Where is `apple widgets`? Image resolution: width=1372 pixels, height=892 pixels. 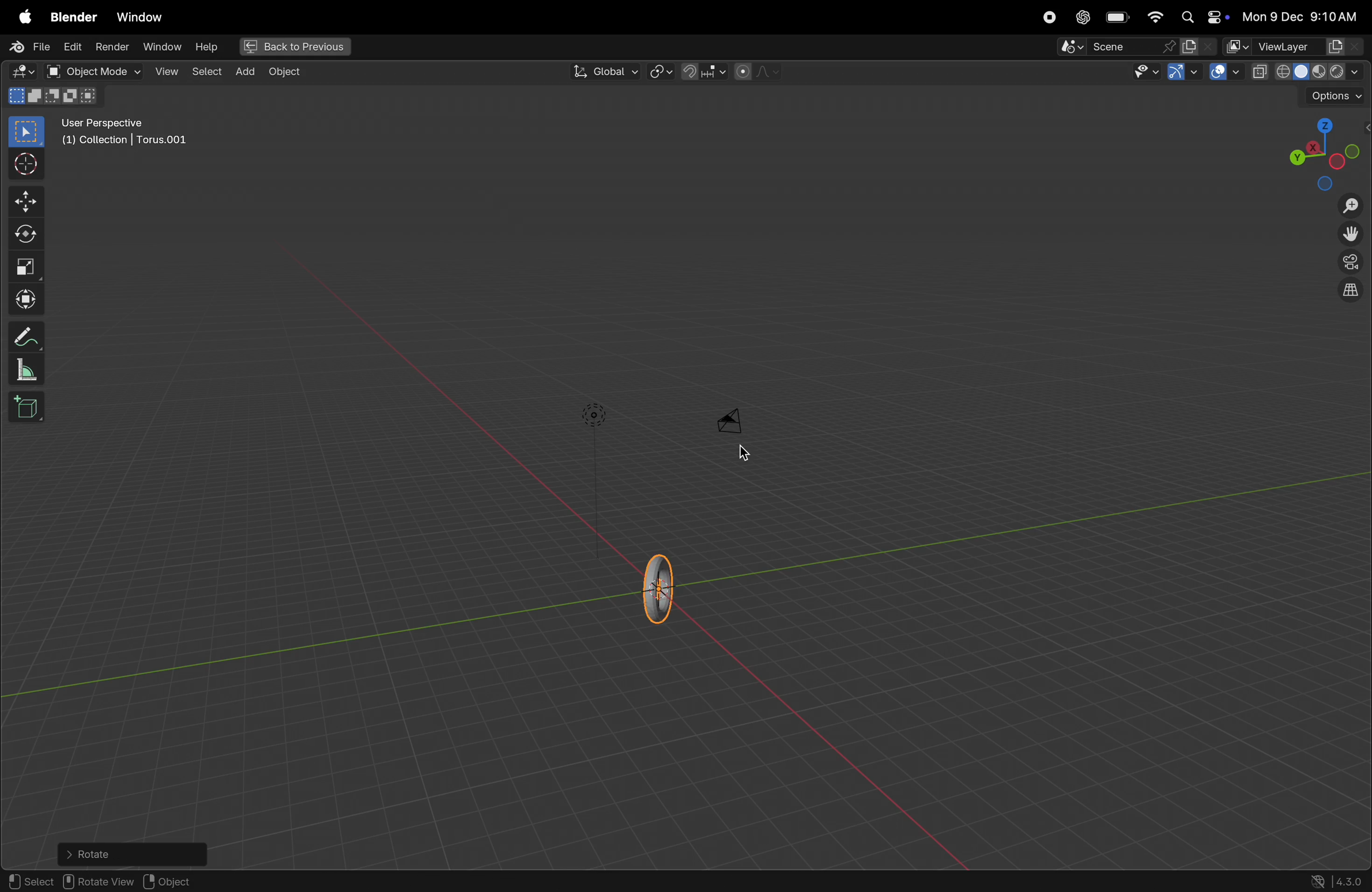 apple widgets is located at coordinates (1203, 18).